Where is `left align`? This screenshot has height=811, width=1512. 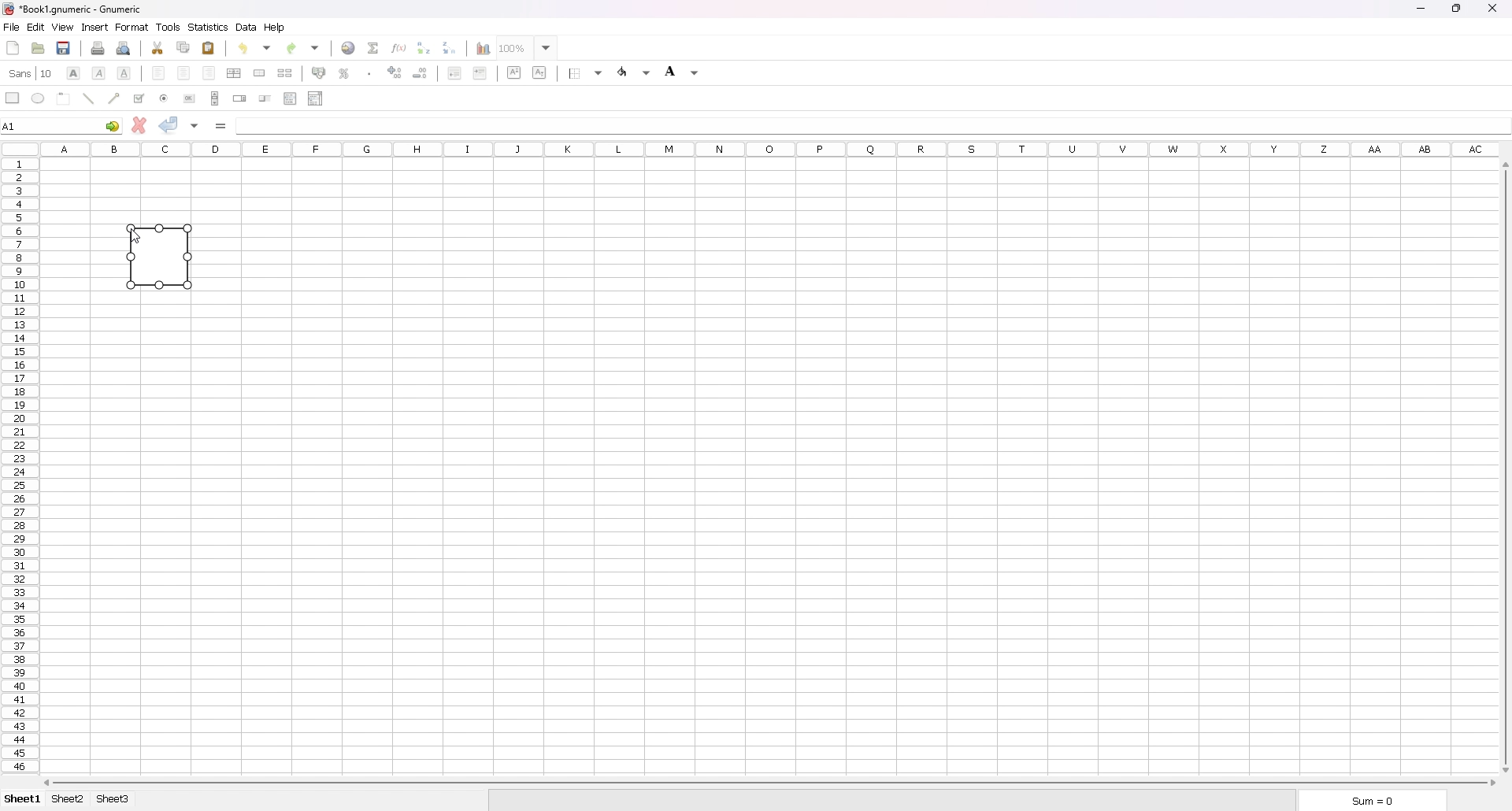 left align is located at coordinates (159, 72).